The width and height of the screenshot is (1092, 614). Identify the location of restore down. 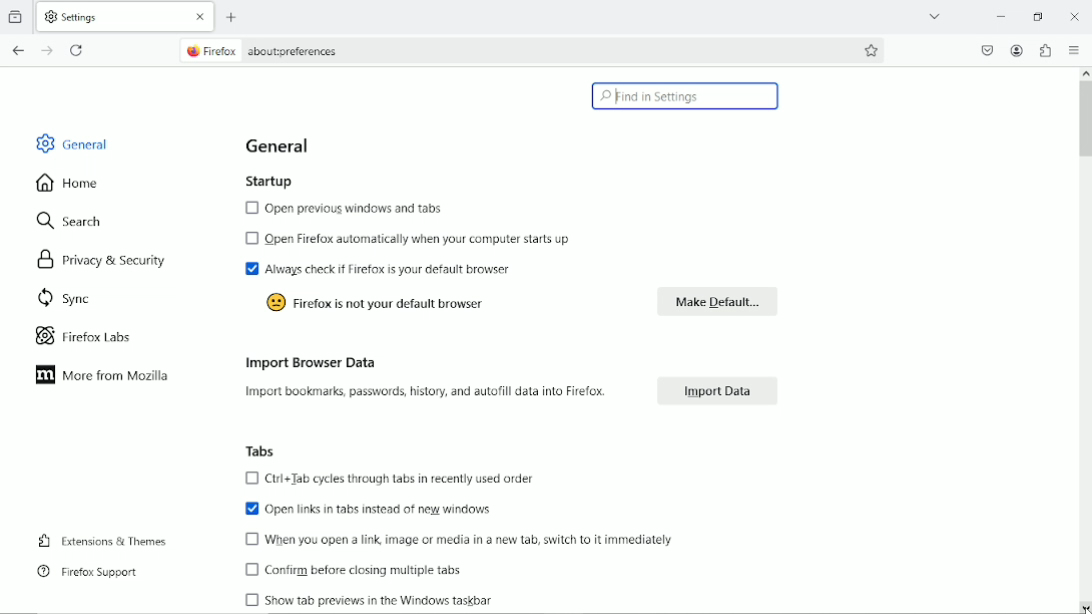
(1040, 17).